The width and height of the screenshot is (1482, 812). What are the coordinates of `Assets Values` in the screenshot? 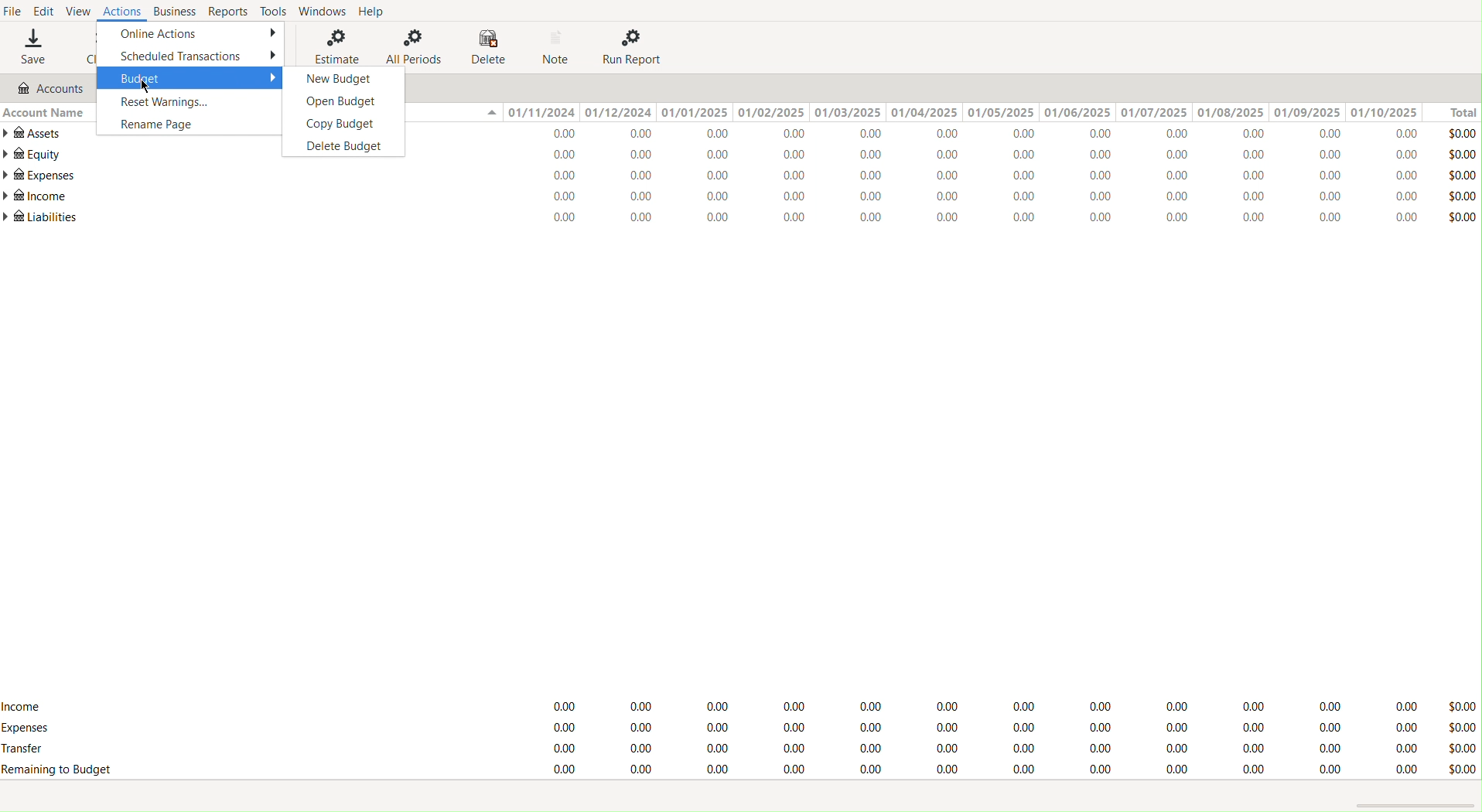 It's located at (983, 135).